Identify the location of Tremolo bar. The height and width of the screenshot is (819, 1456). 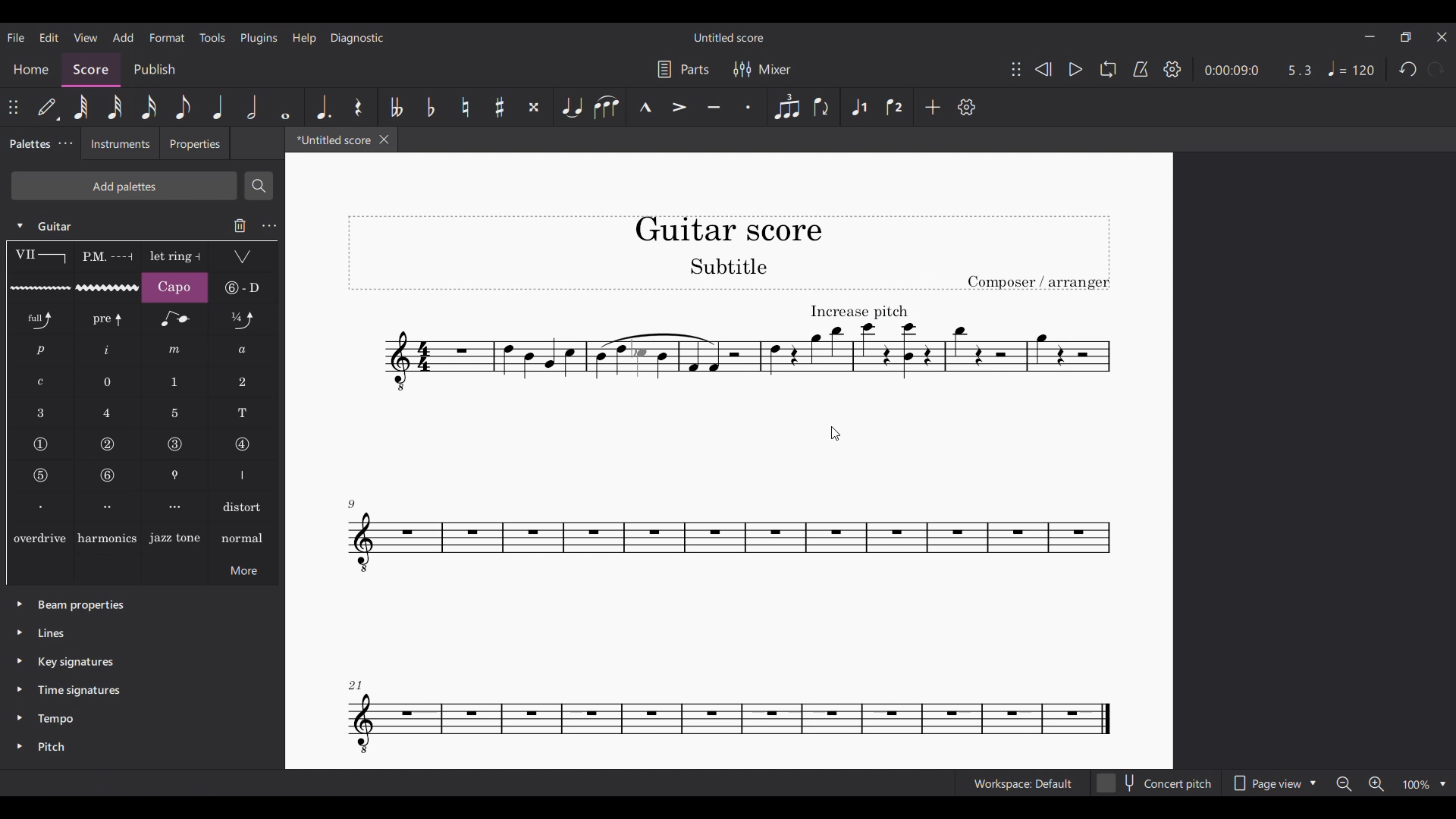
(243, 257).